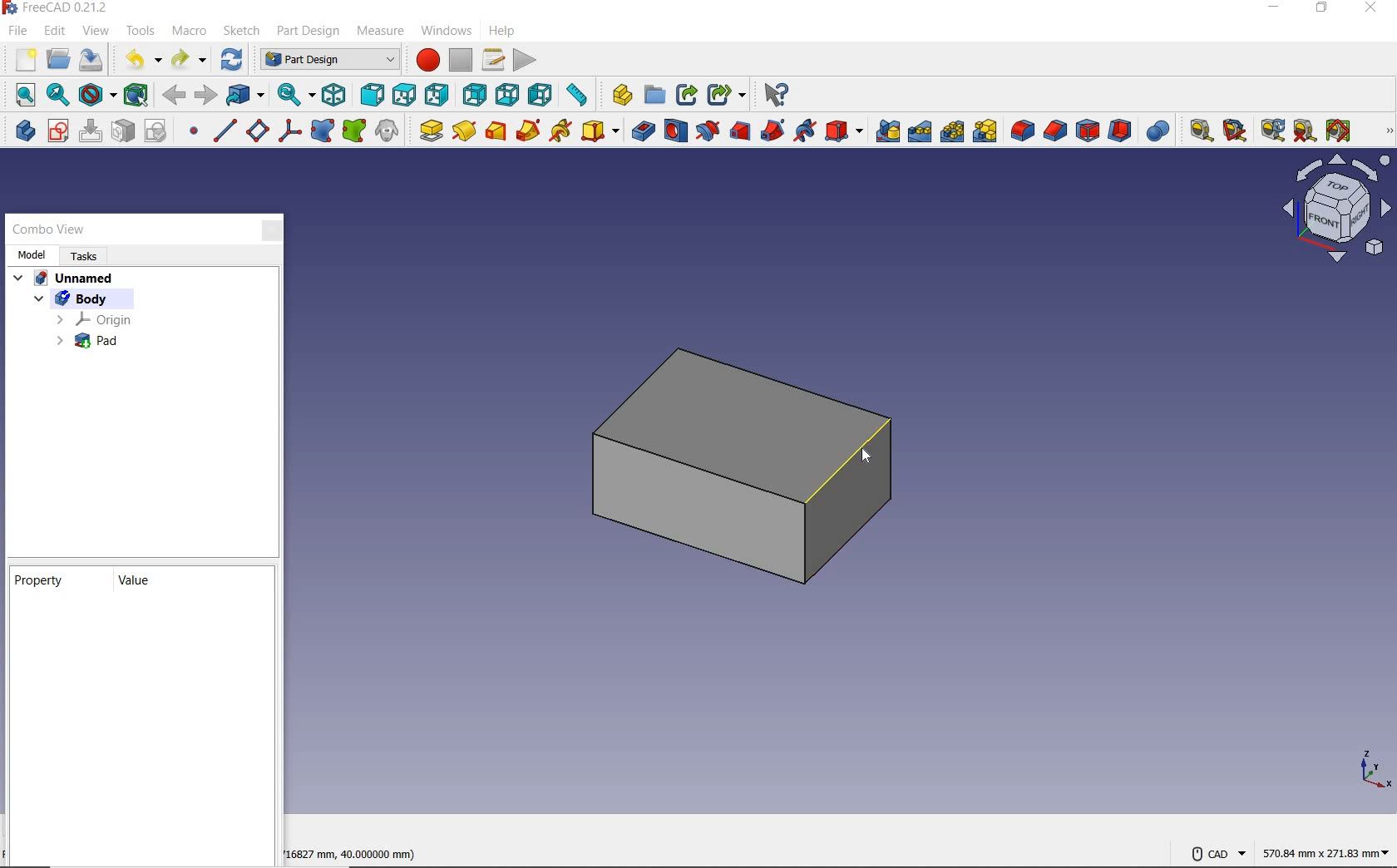 The height and width of the screenshot is (868, 1397). Describe the element at coordinates (496, 131) in the screenshot. I see `additive loft` at that location.